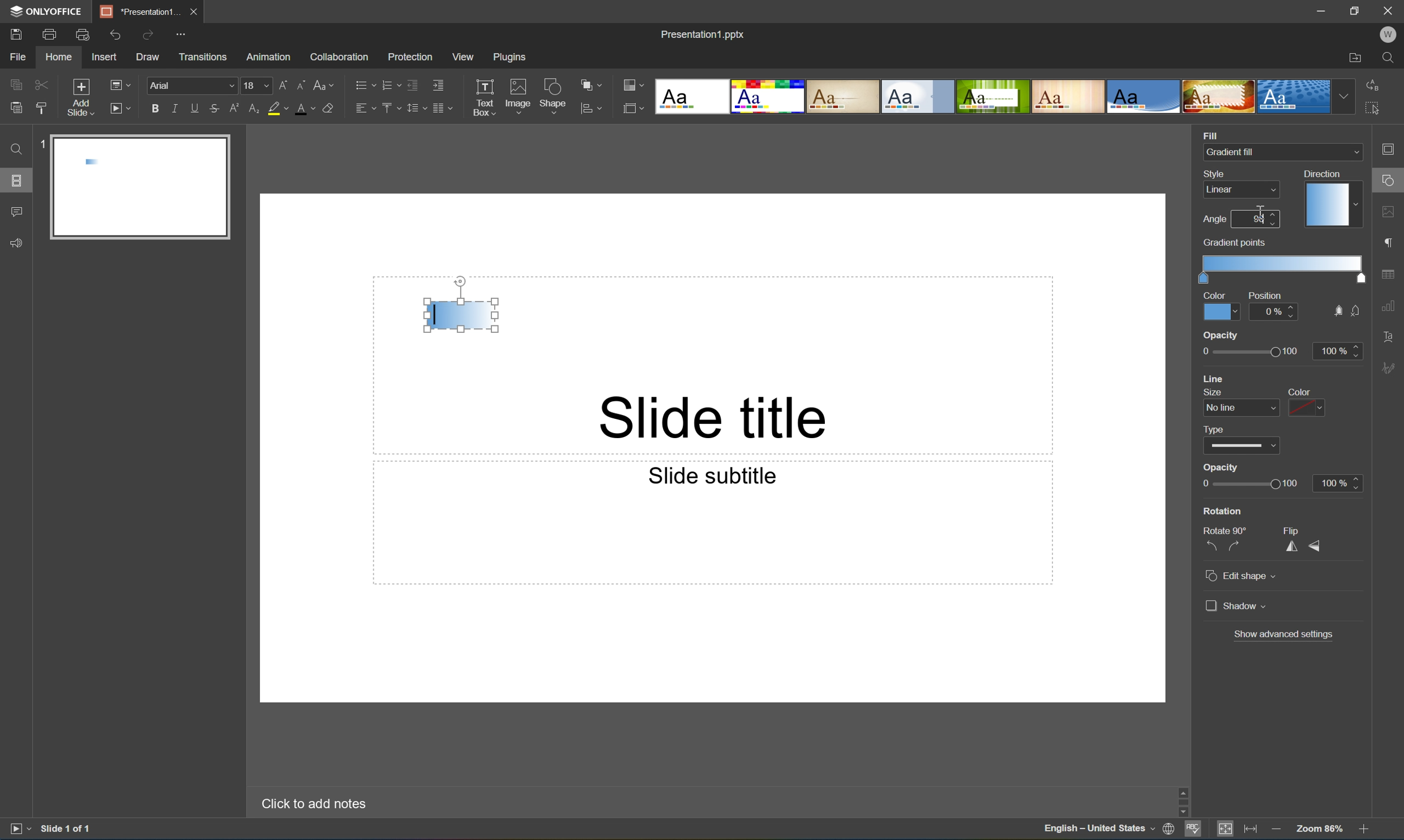  What do you see at coordinates (1236, 243) in the screenshot?
I see `gradient points` at bounding box center [1236, 243].